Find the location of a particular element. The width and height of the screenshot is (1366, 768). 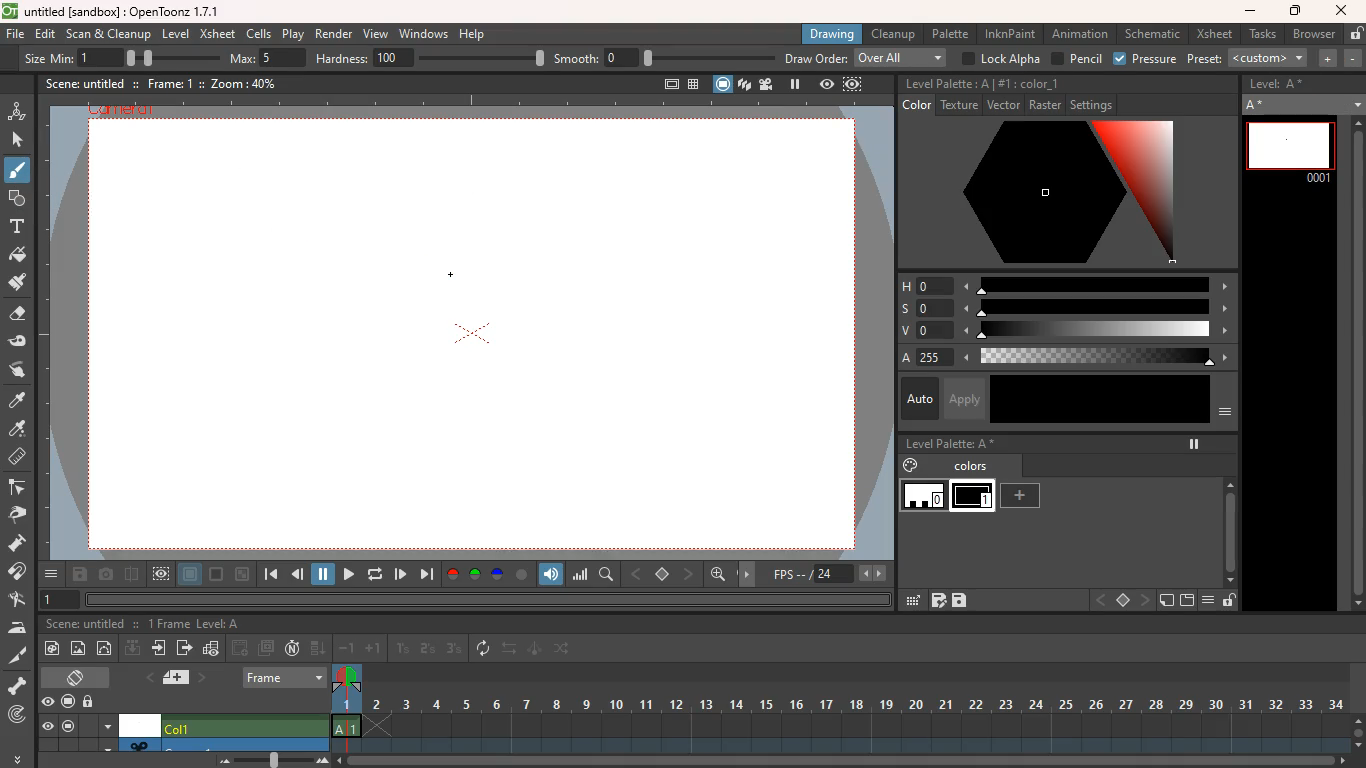

back is located at coordinates (241, 647).